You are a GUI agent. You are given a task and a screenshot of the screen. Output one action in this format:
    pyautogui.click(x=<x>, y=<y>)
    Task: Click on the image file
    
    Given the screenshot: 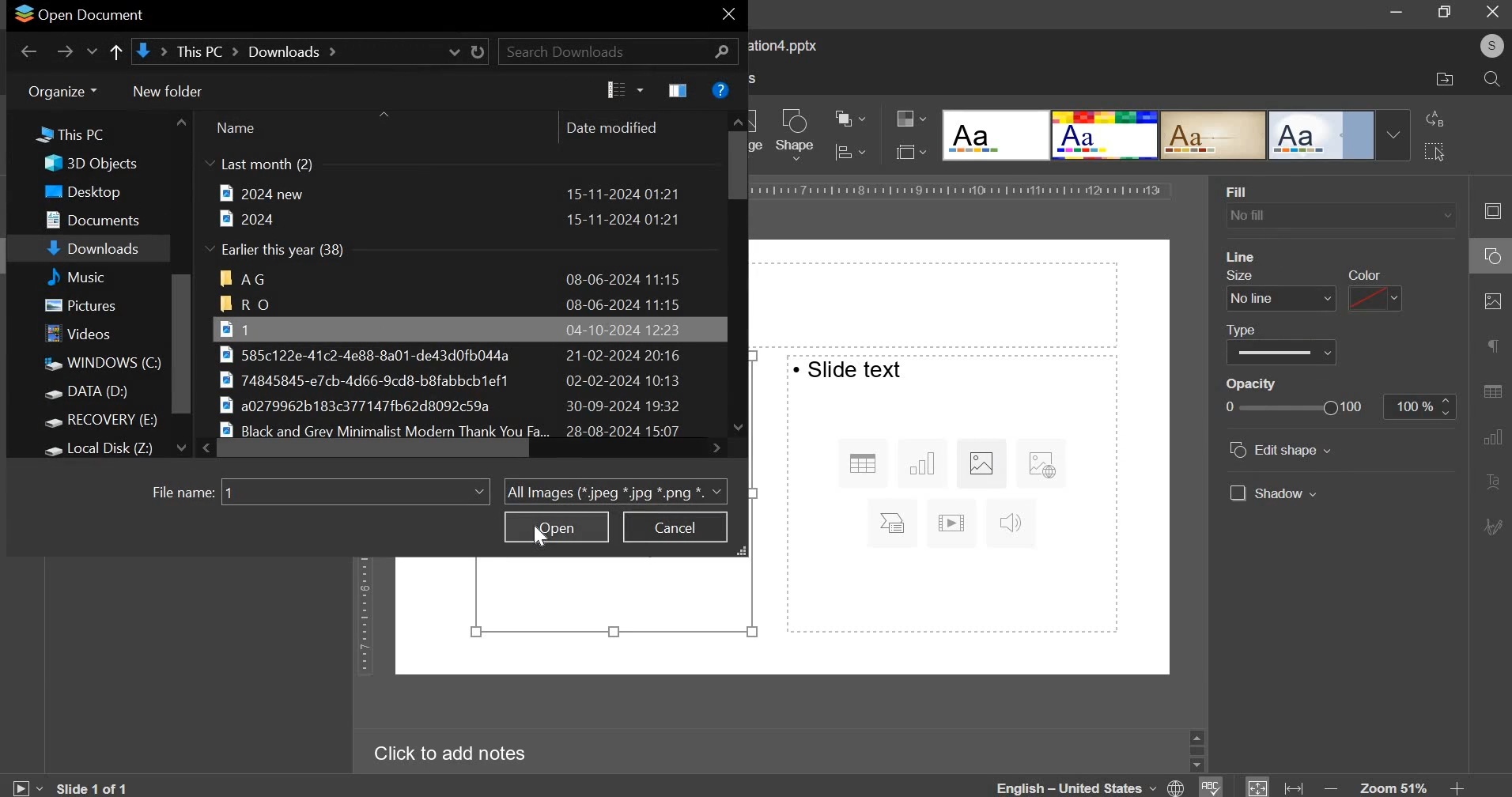 What is the action you would take?
    pyautogui.click(x=467, y=380)
    